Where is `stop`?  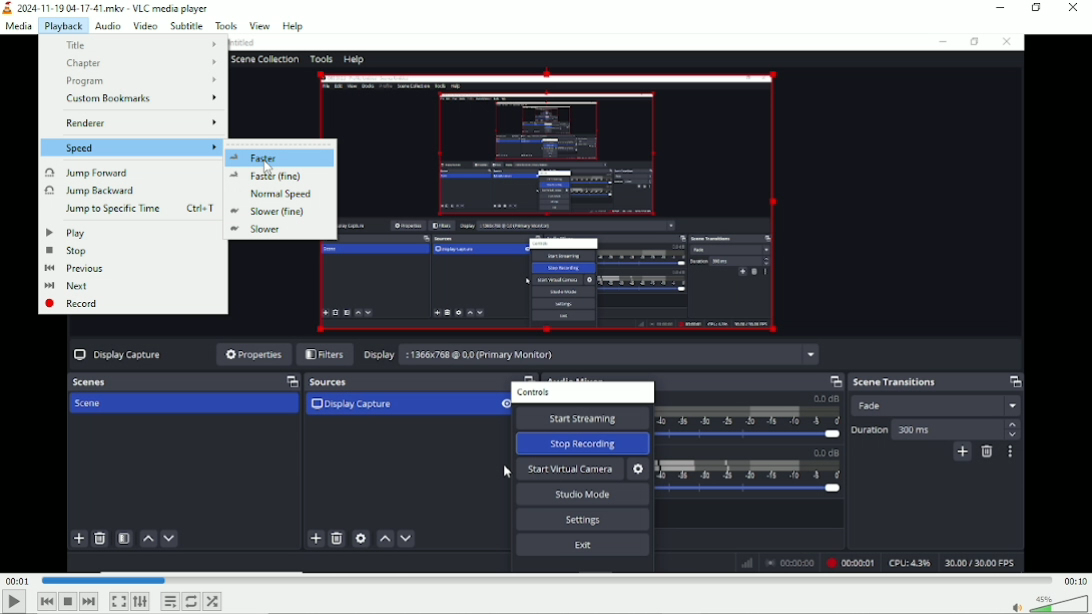
stop is located at coordinates (128, 250).